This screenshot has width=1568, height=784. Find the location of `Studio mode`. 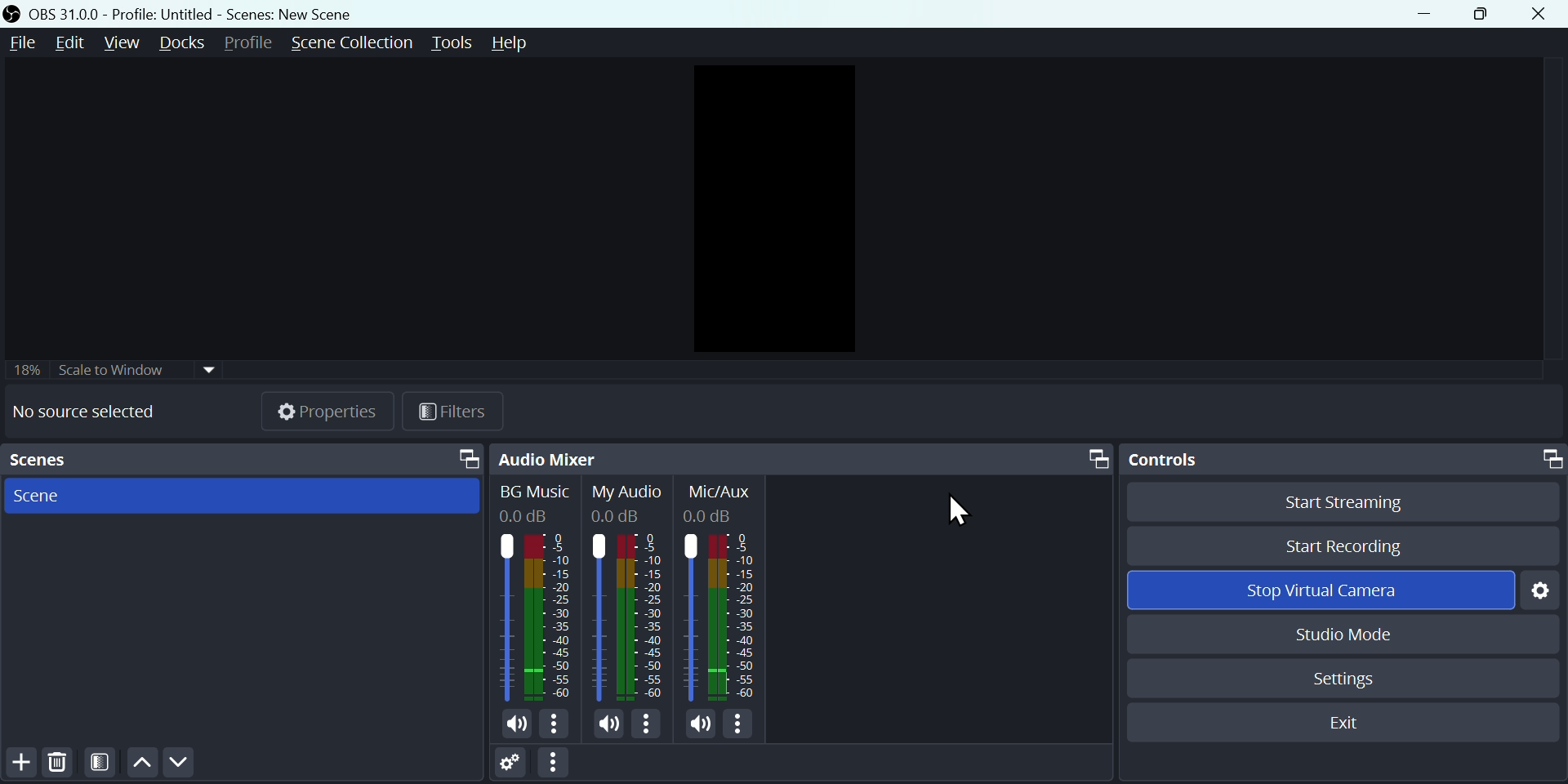

Studio mode is located at coordinates (1352, 635).